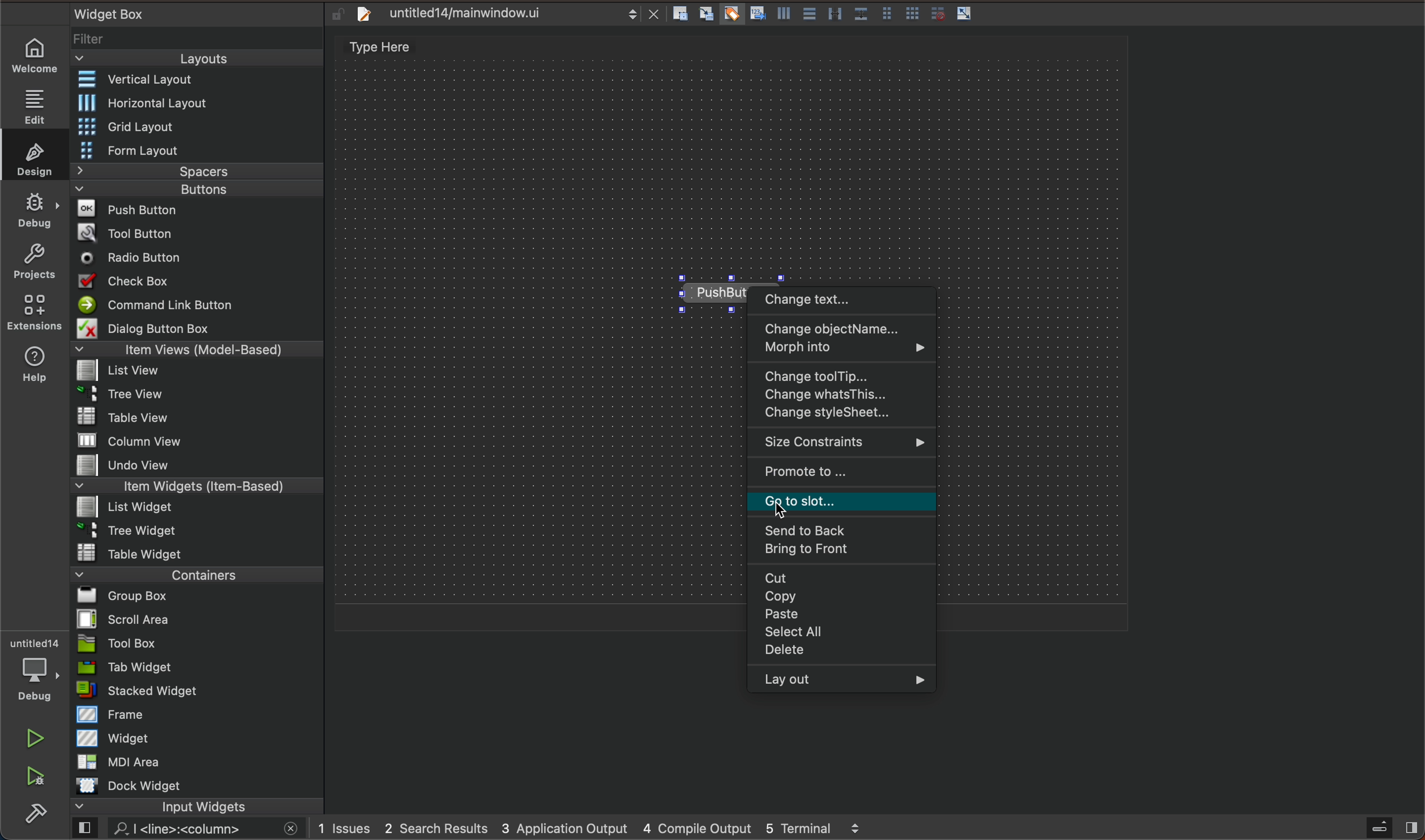  What do you see at coordinates (195, 786) in the screenshot?
I see `dock widget` at bounding box center [195, 786].